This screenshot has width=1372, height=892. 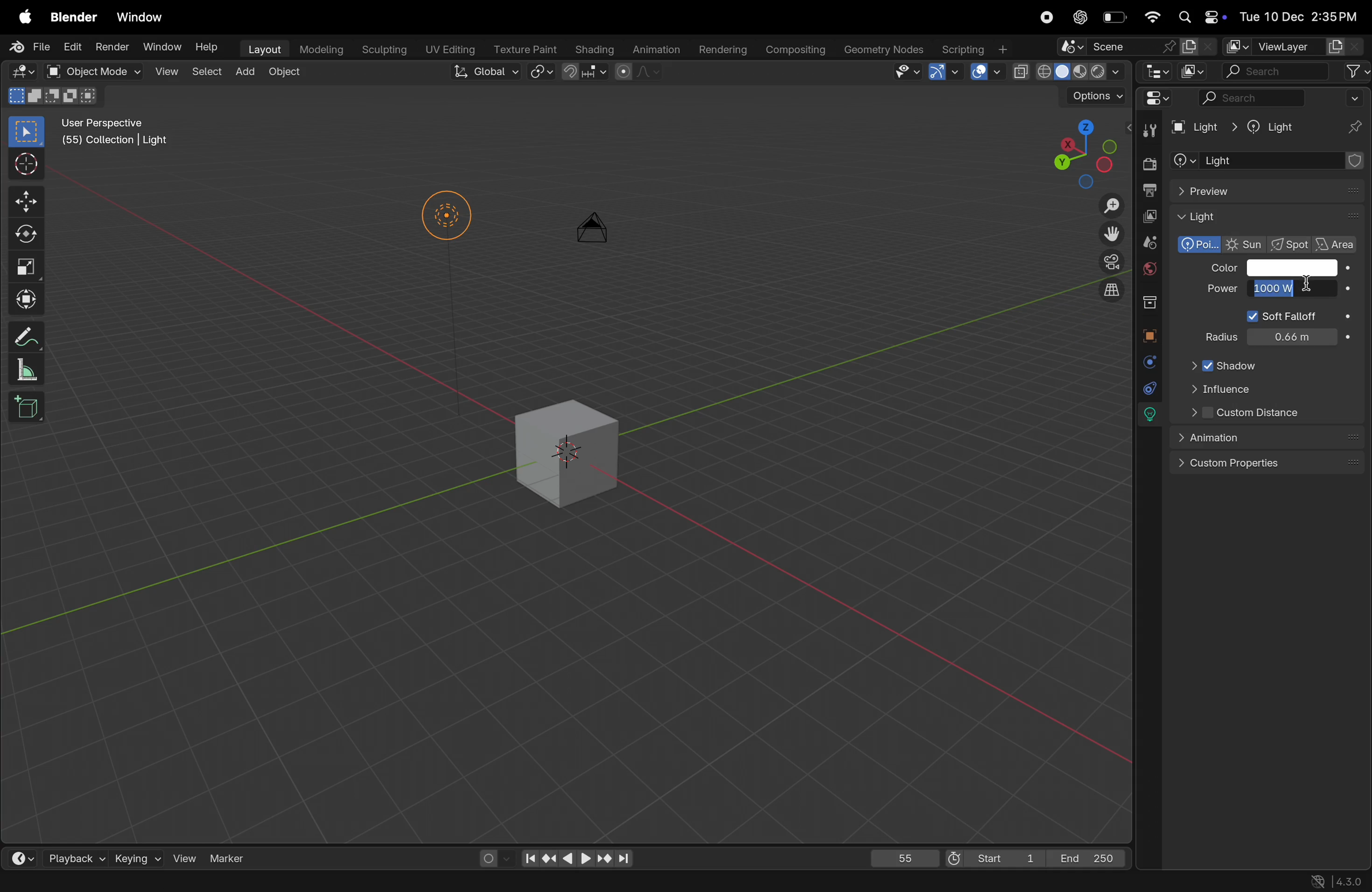 I want to click on Custom distance, so click(x=1264, y=412).